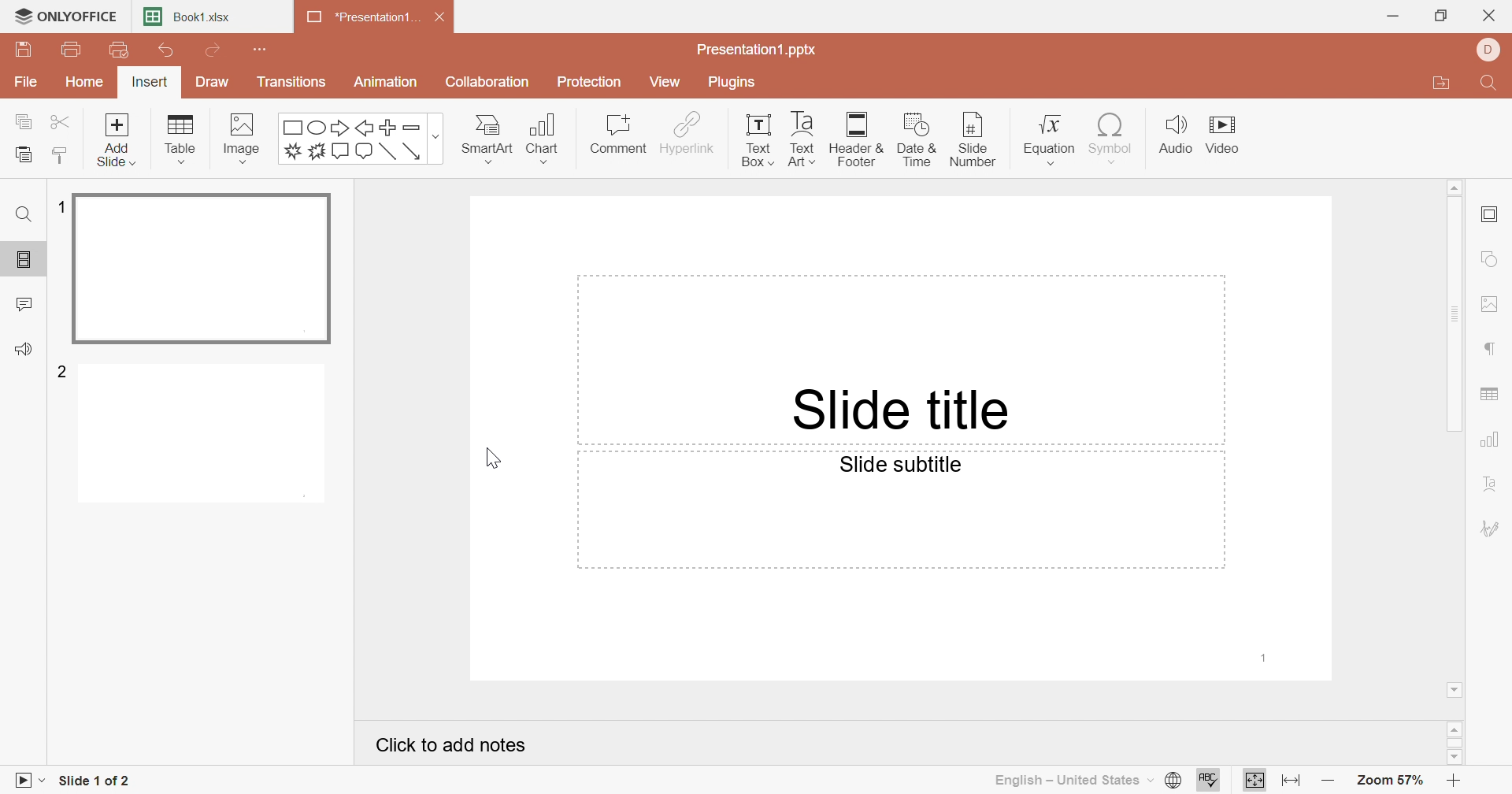 The height and width of the screenshot is (794, 1512). Describe the element at coordinates (72, 51) in the screenshot. I see `Print` at that location.